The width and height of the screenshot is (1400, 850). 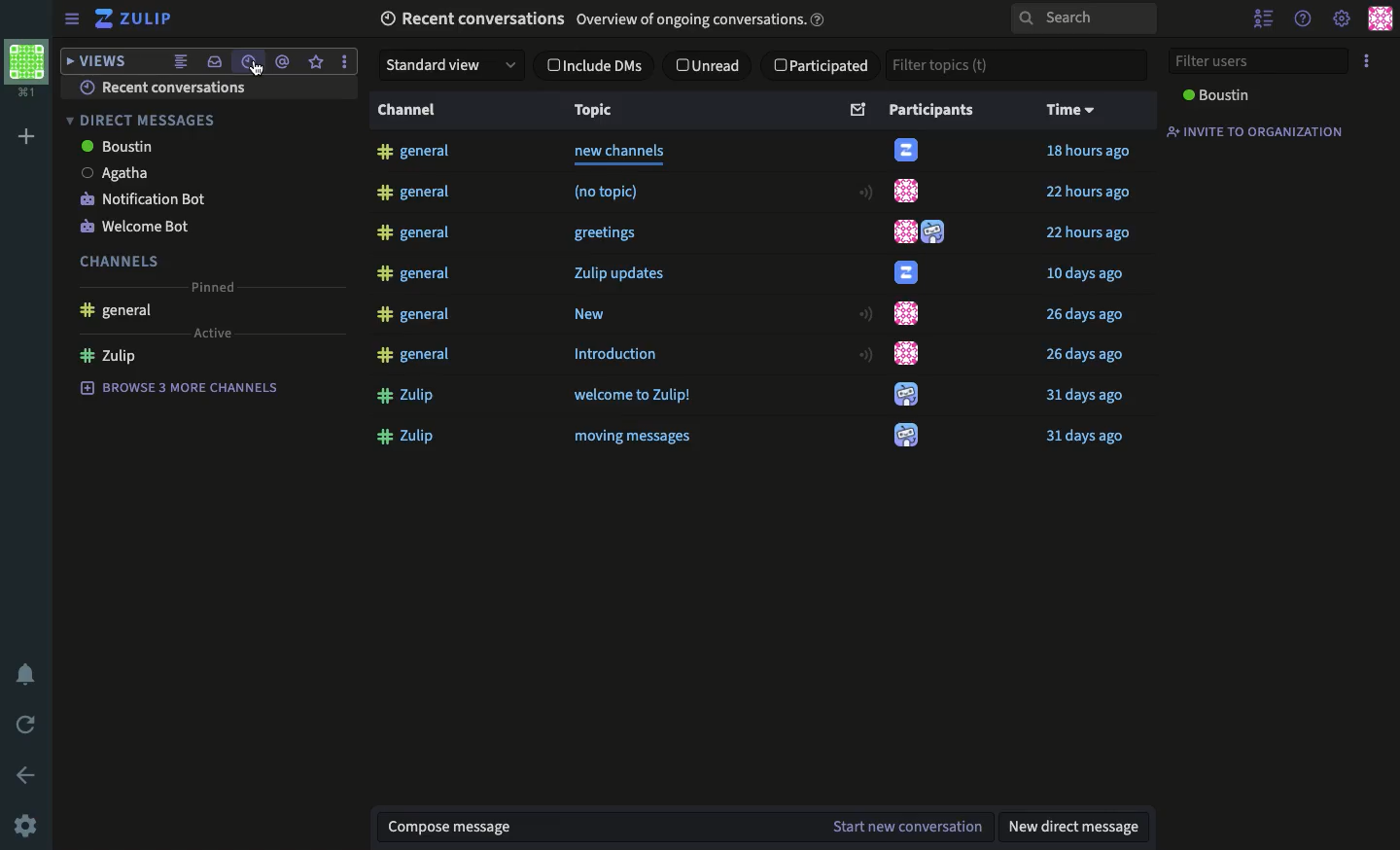 I want to click on participants, so click(x=936, y=113).